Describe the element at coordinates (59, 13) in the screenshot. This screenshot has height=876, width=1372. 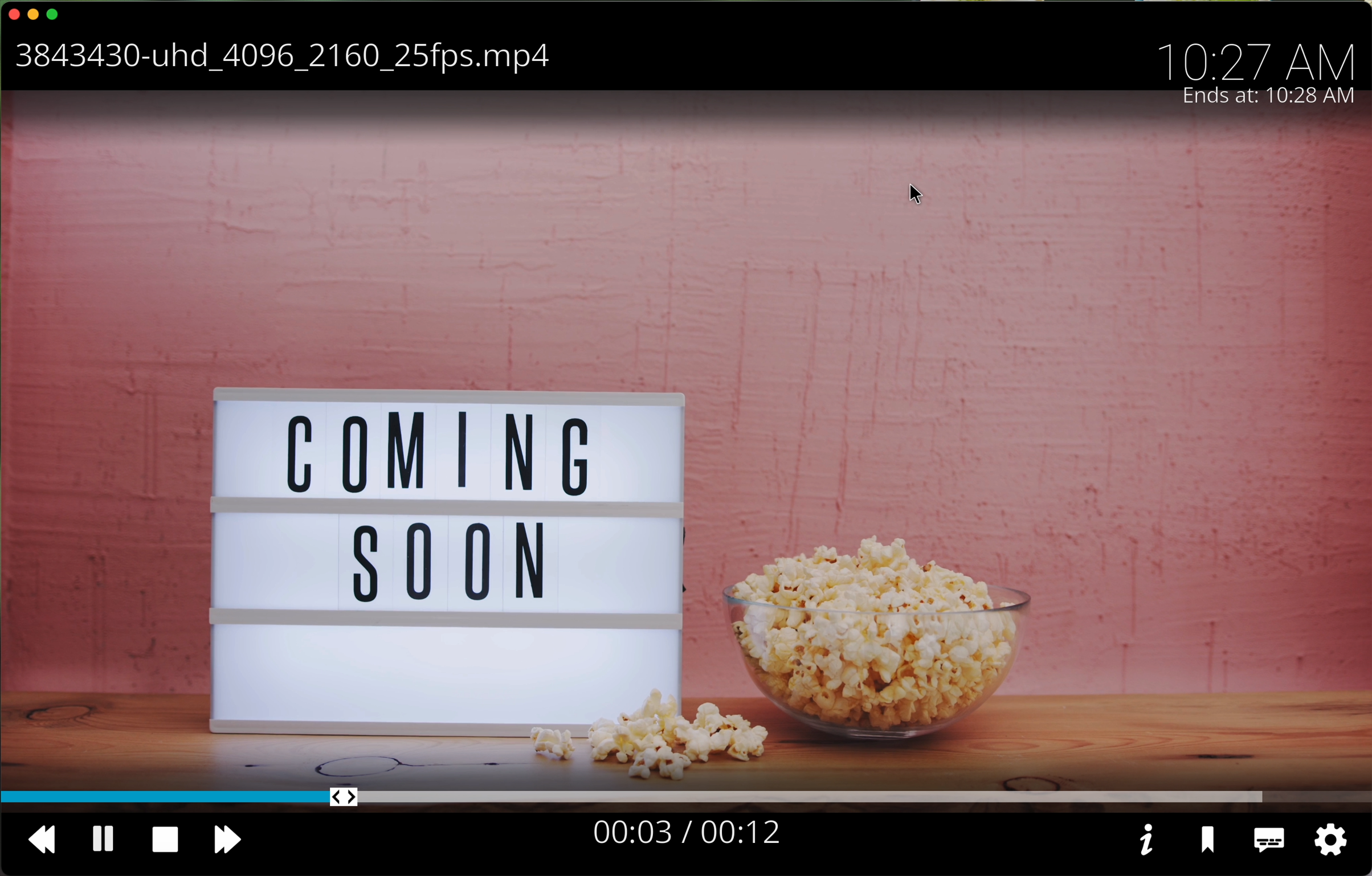
I see `maximise` at that location.